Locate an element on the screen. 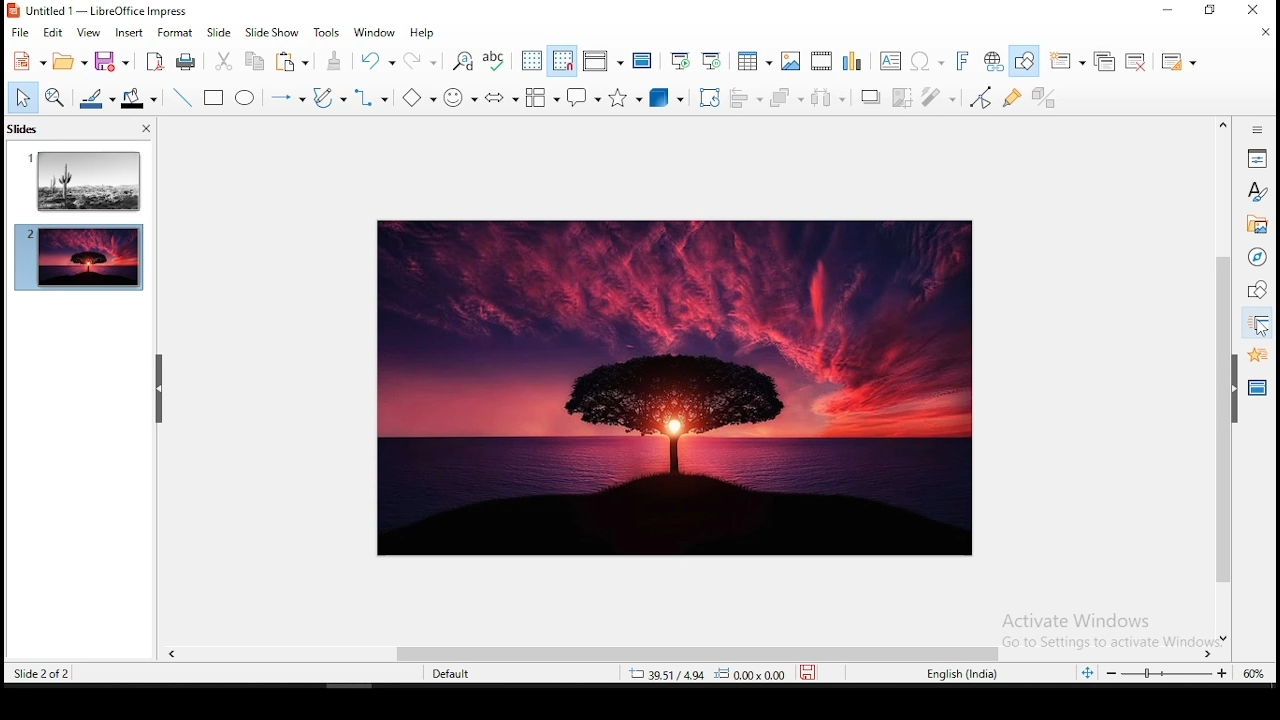 The width and height of the screenshot is (1280, 720). delete slide is located at coordinates (1138, 61).